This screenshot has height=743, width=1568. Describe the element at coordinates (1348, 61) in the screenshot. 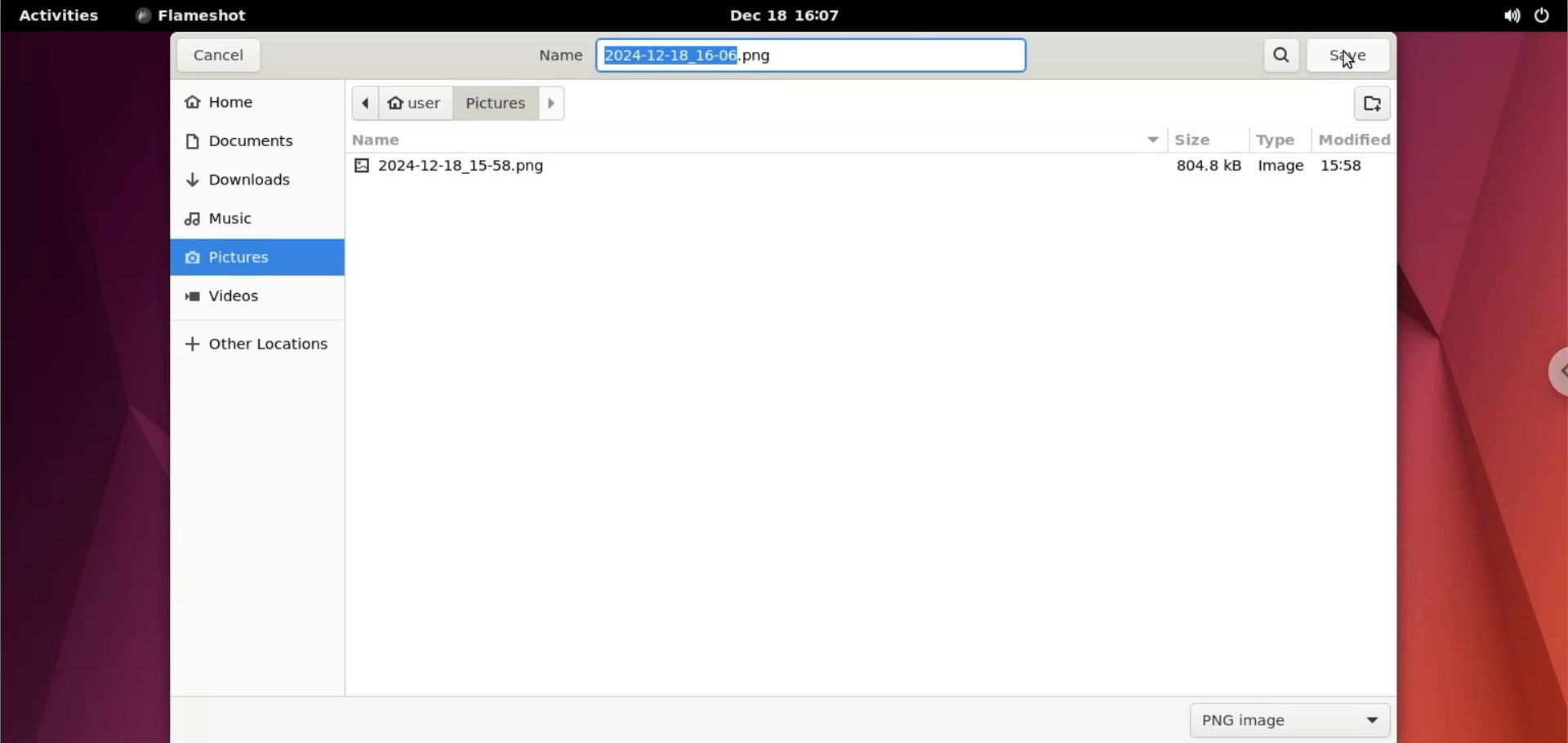

I see `cursor` at that location.